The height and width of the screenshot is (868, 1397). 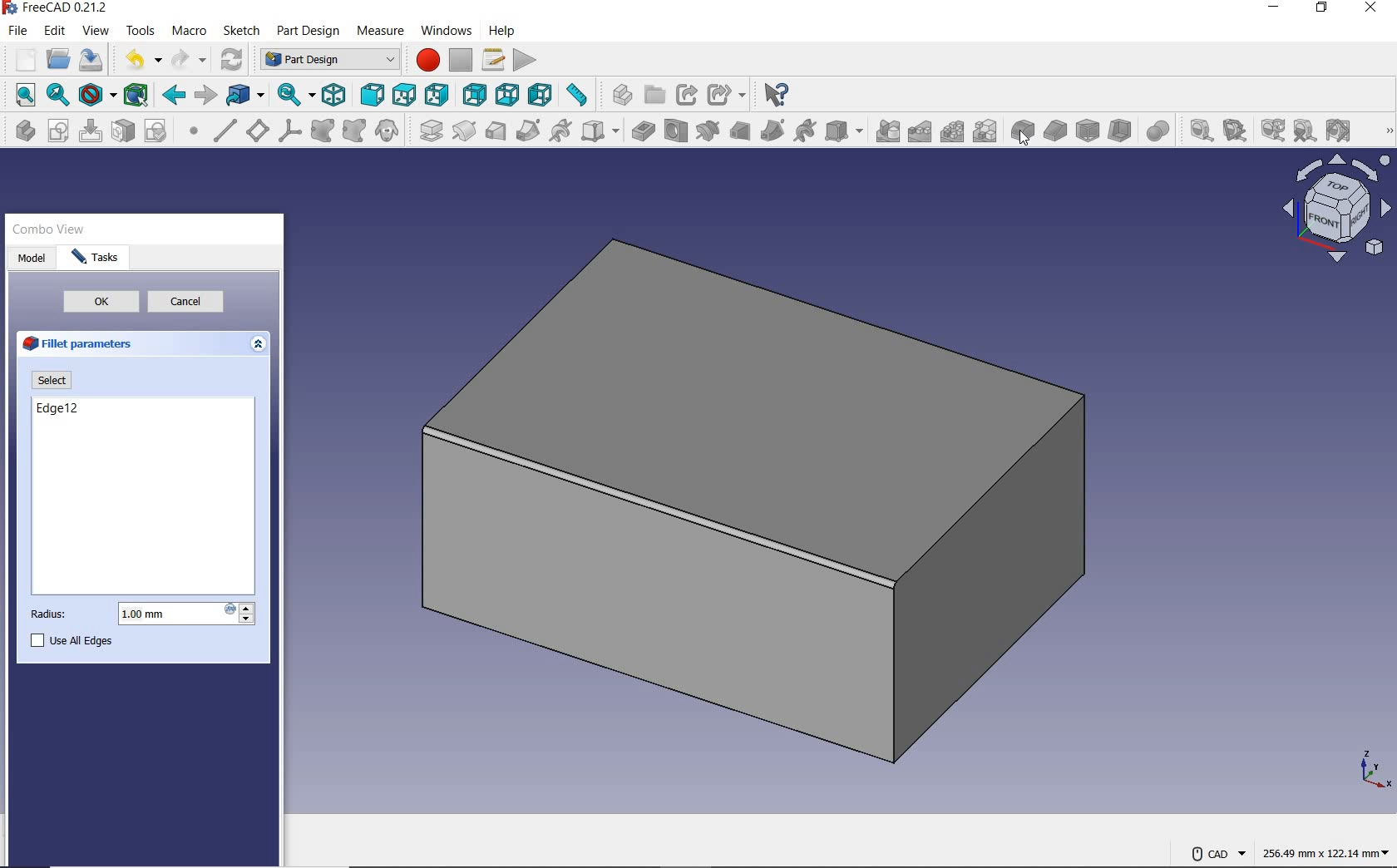 I want to click on hole, so click(x=677, y=132).